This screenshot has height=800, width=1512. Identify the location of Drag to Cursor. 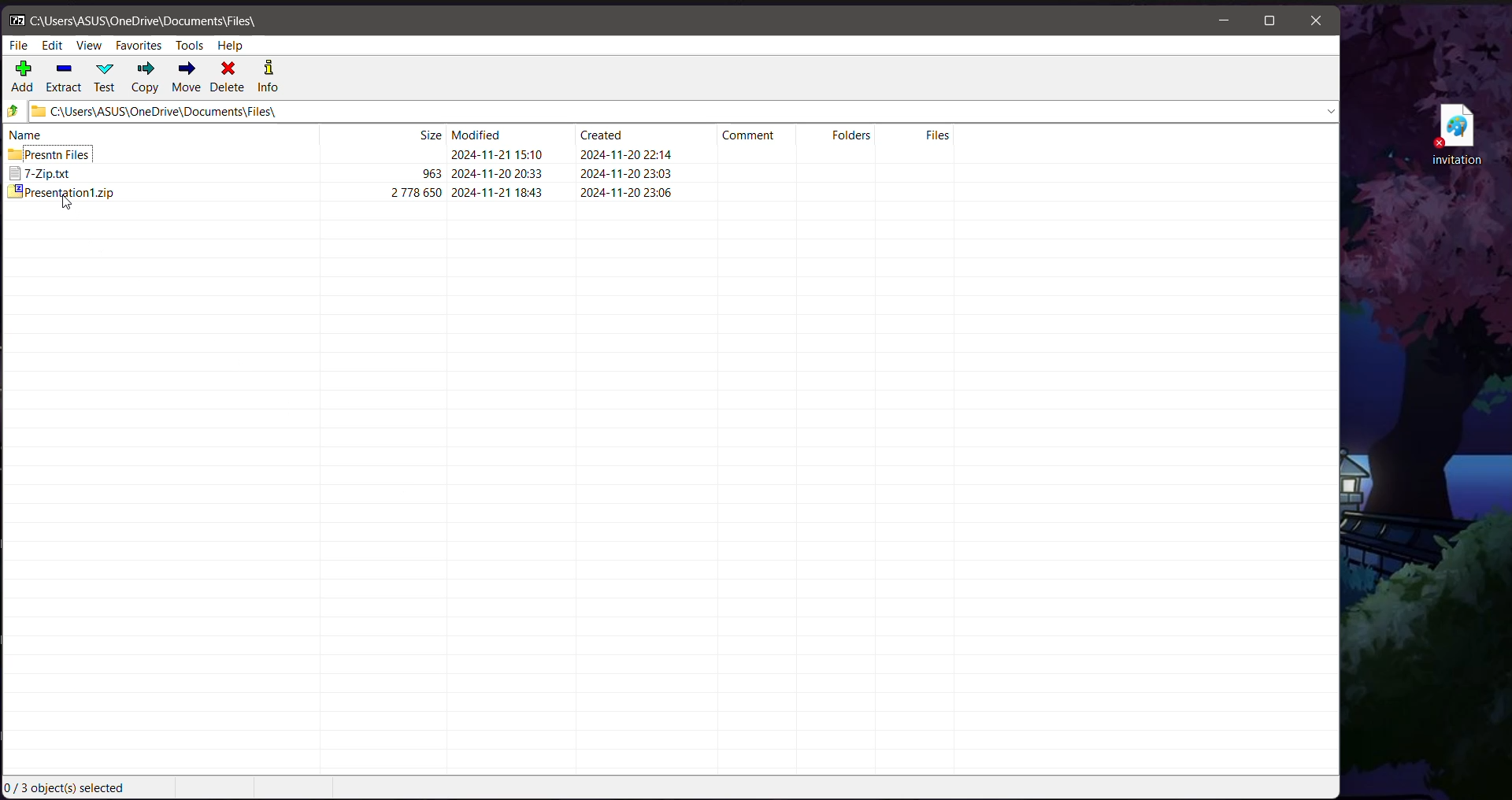
(66, 204).